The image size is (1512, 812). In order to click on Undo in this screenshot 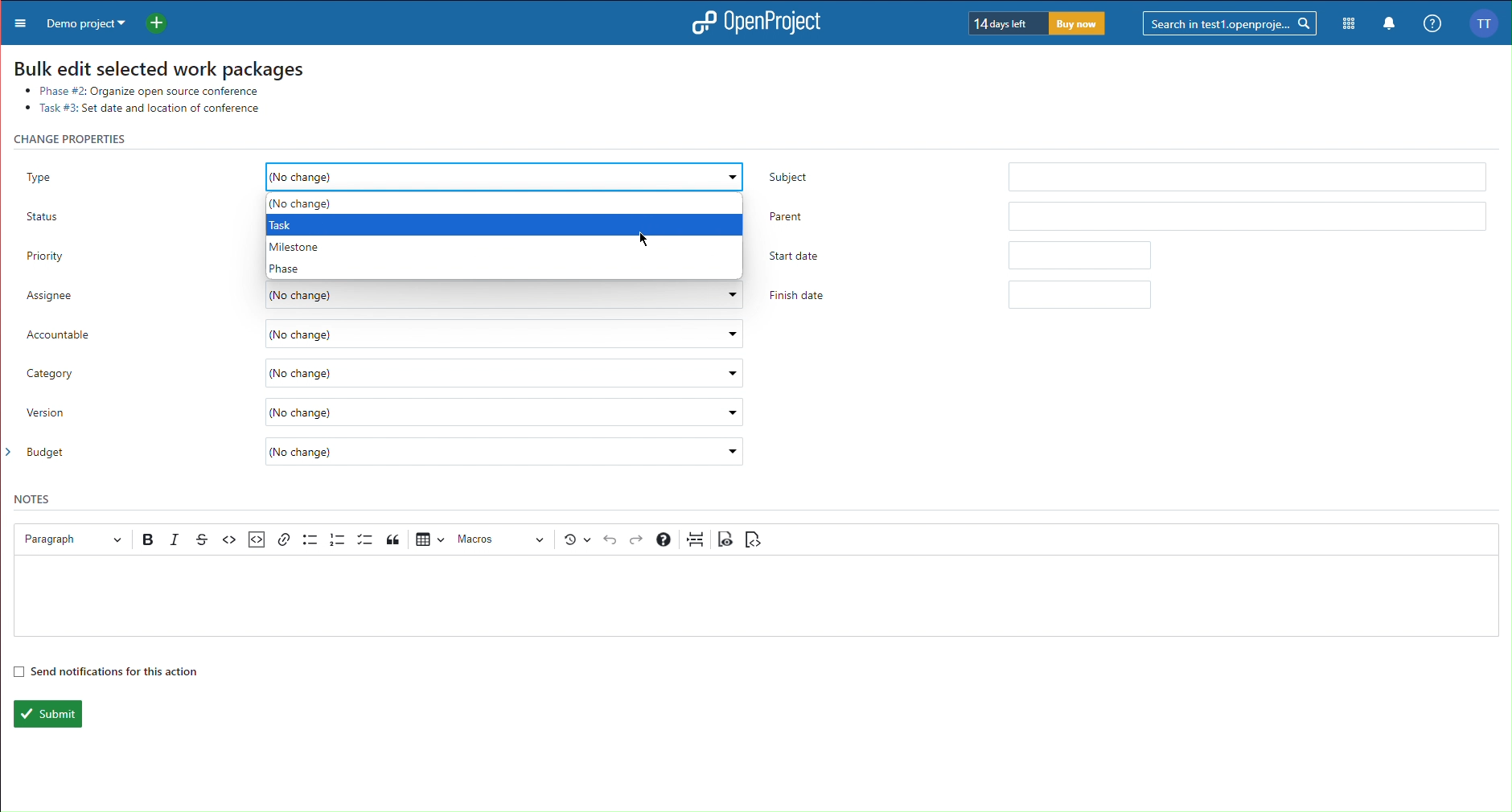, I will do `click(610, 540)`.